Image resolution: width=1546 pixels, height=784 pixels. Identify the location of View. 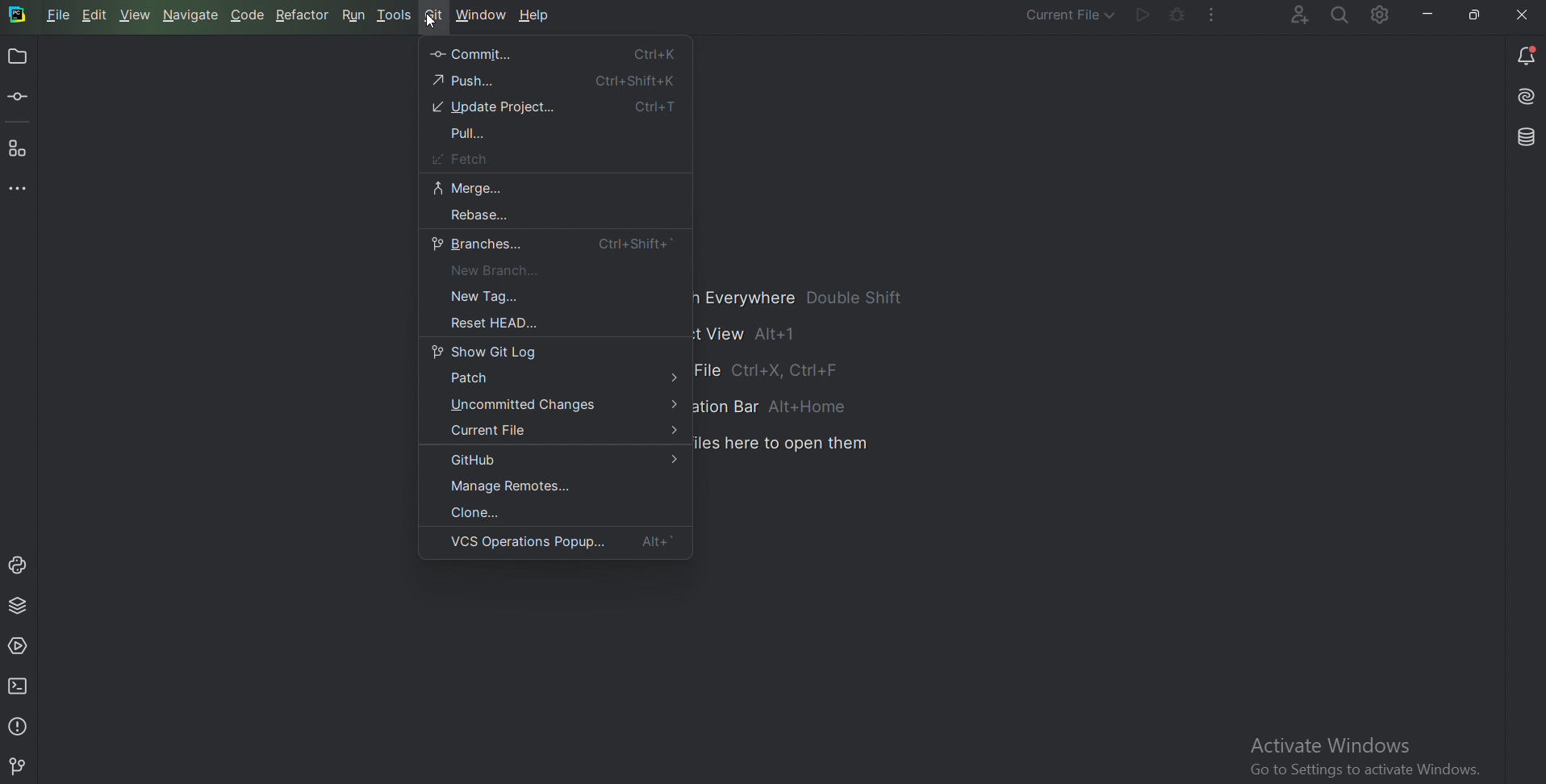
(136, 15).